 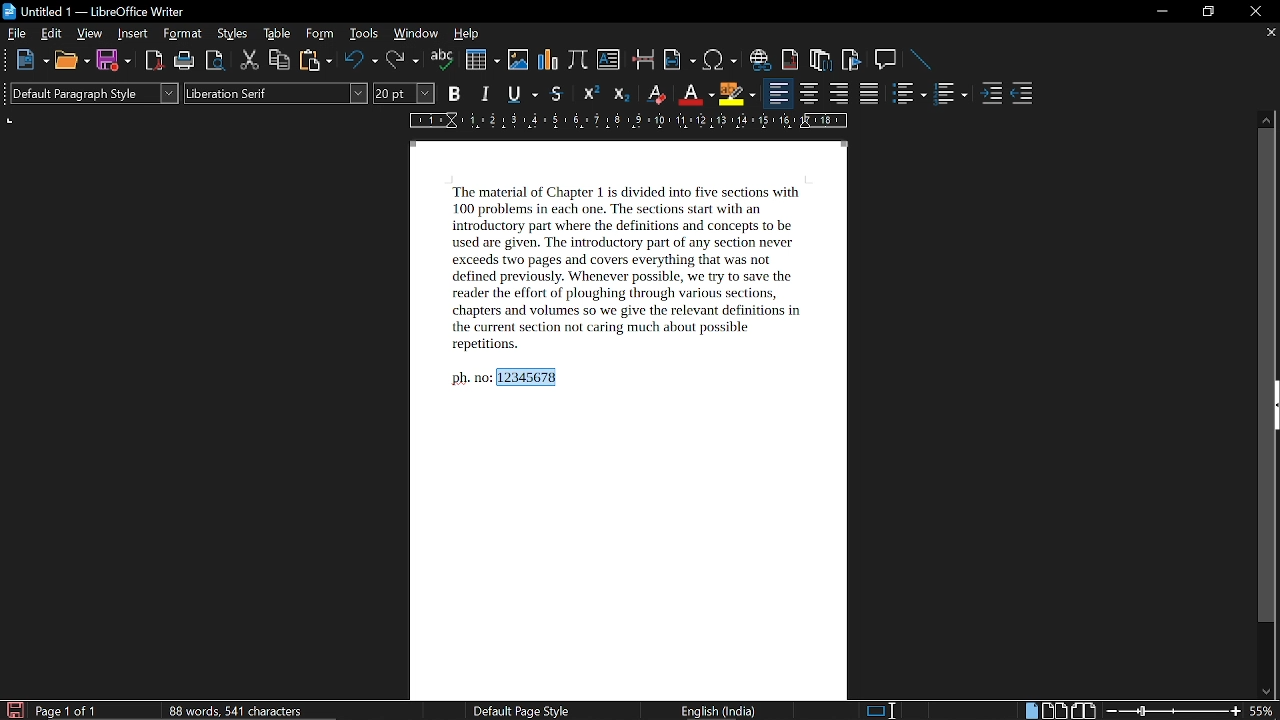 What do you see at coordinates (1024, 96) in the screenshot?
I see `decrease indent` at bounding box center [1024, 96].